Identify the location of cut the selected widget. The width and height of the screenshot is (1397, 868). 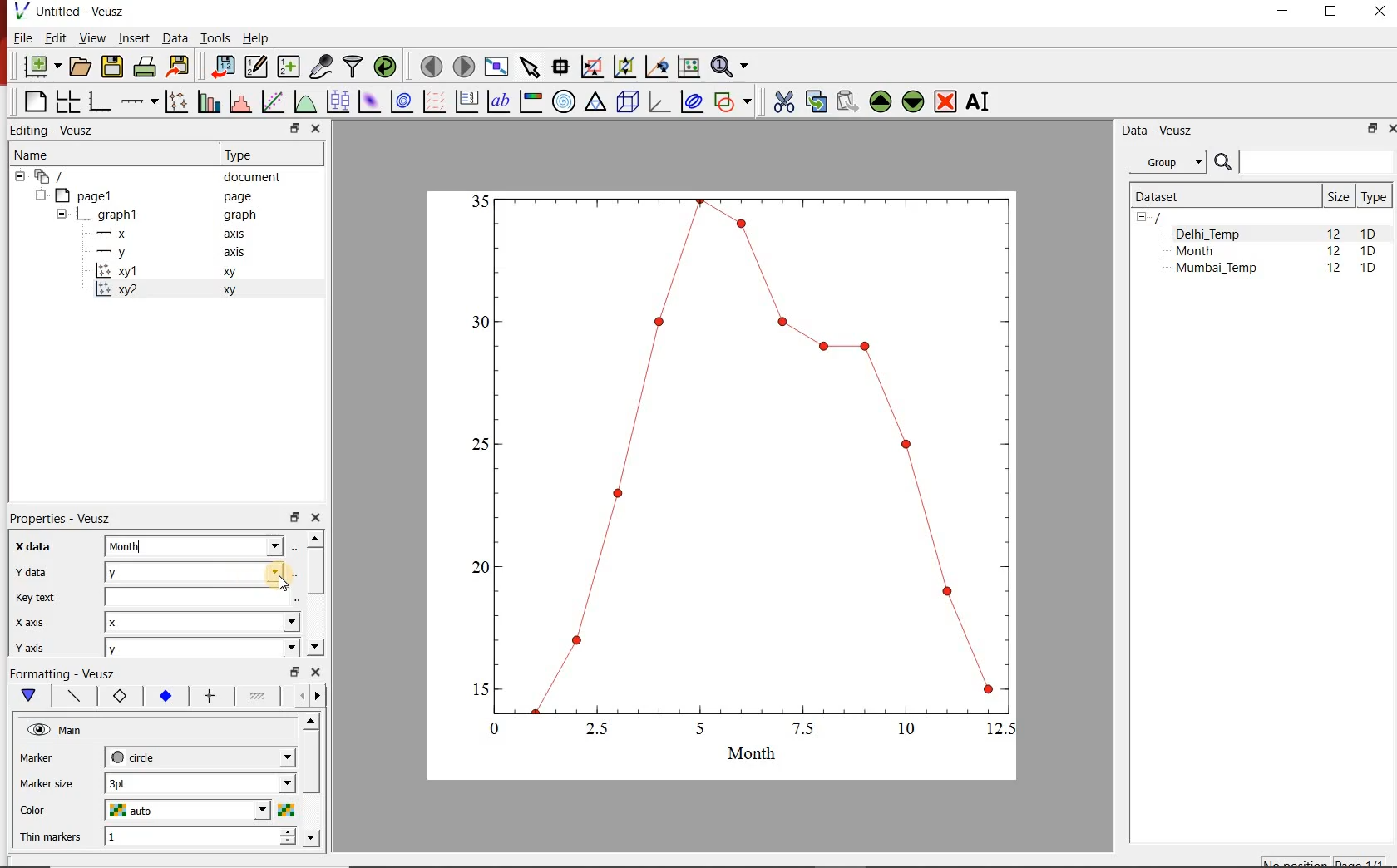
(783, 101).